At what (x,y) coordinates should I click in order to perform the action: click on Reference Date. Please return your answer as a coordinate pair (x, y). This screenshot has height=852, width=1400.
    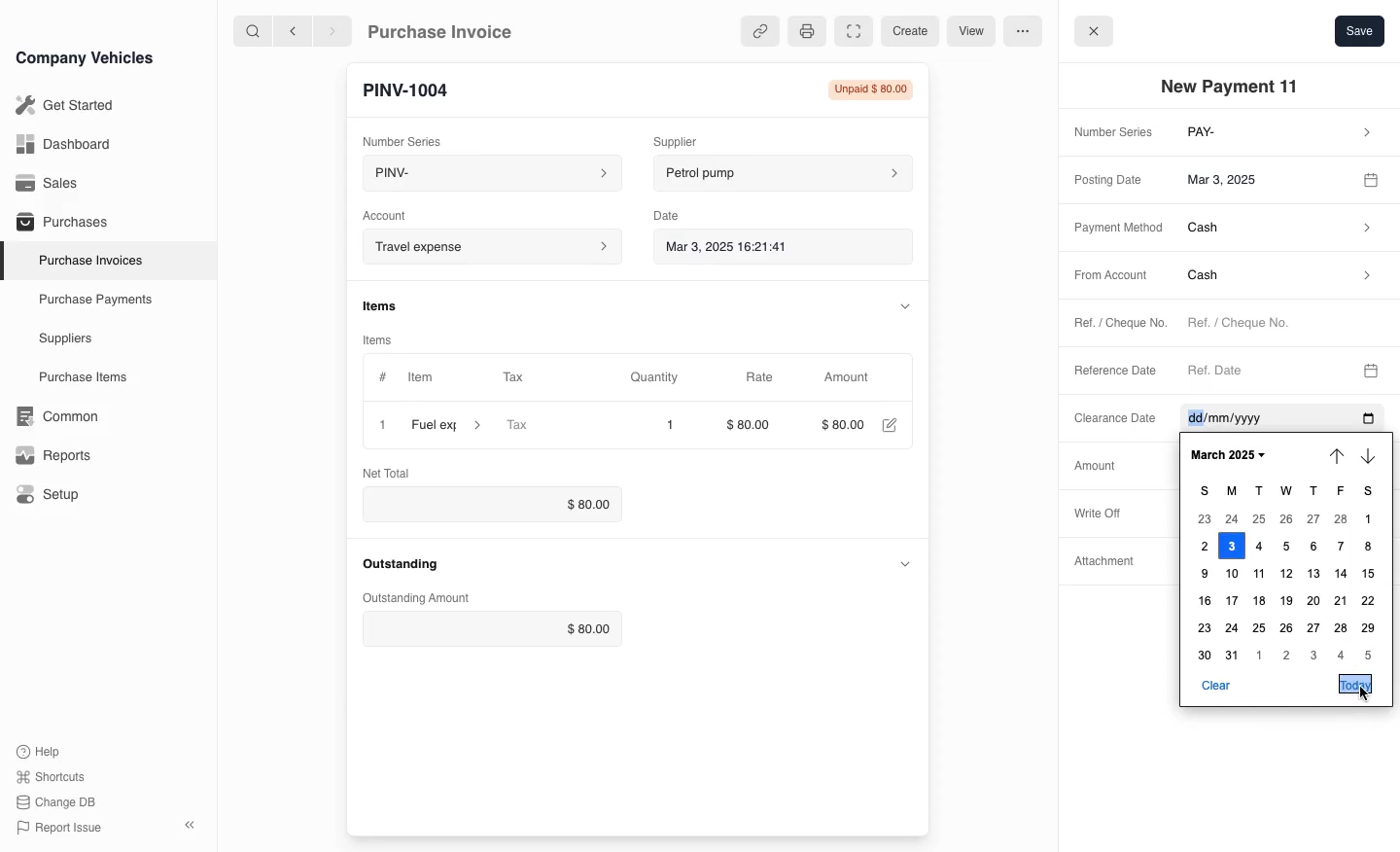
    Looking at the image, I should click on (1116, 372).